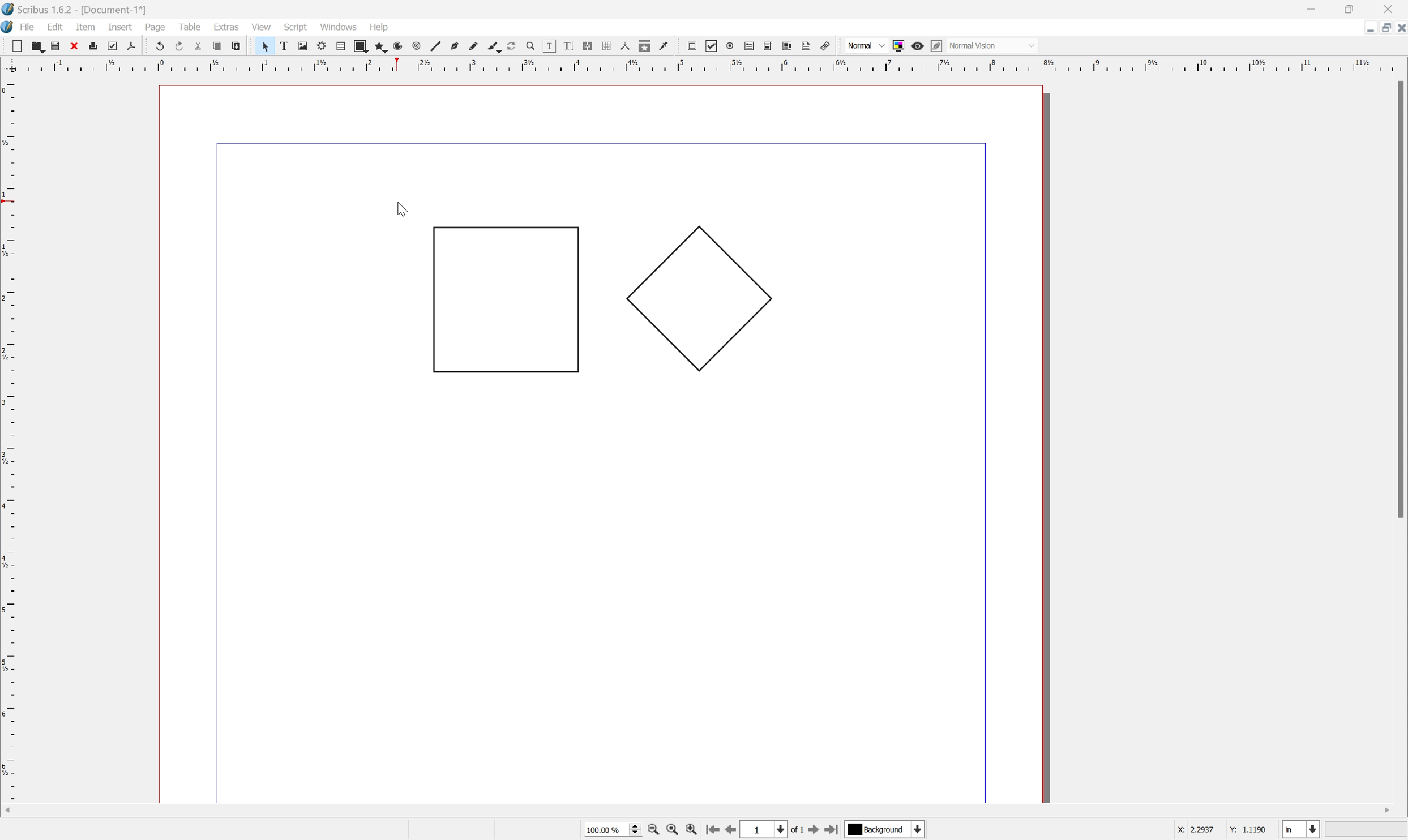  What do you see at coordinates (624, 46) in the screenshot?
I see `measurements` at bounding box center [624, 46].